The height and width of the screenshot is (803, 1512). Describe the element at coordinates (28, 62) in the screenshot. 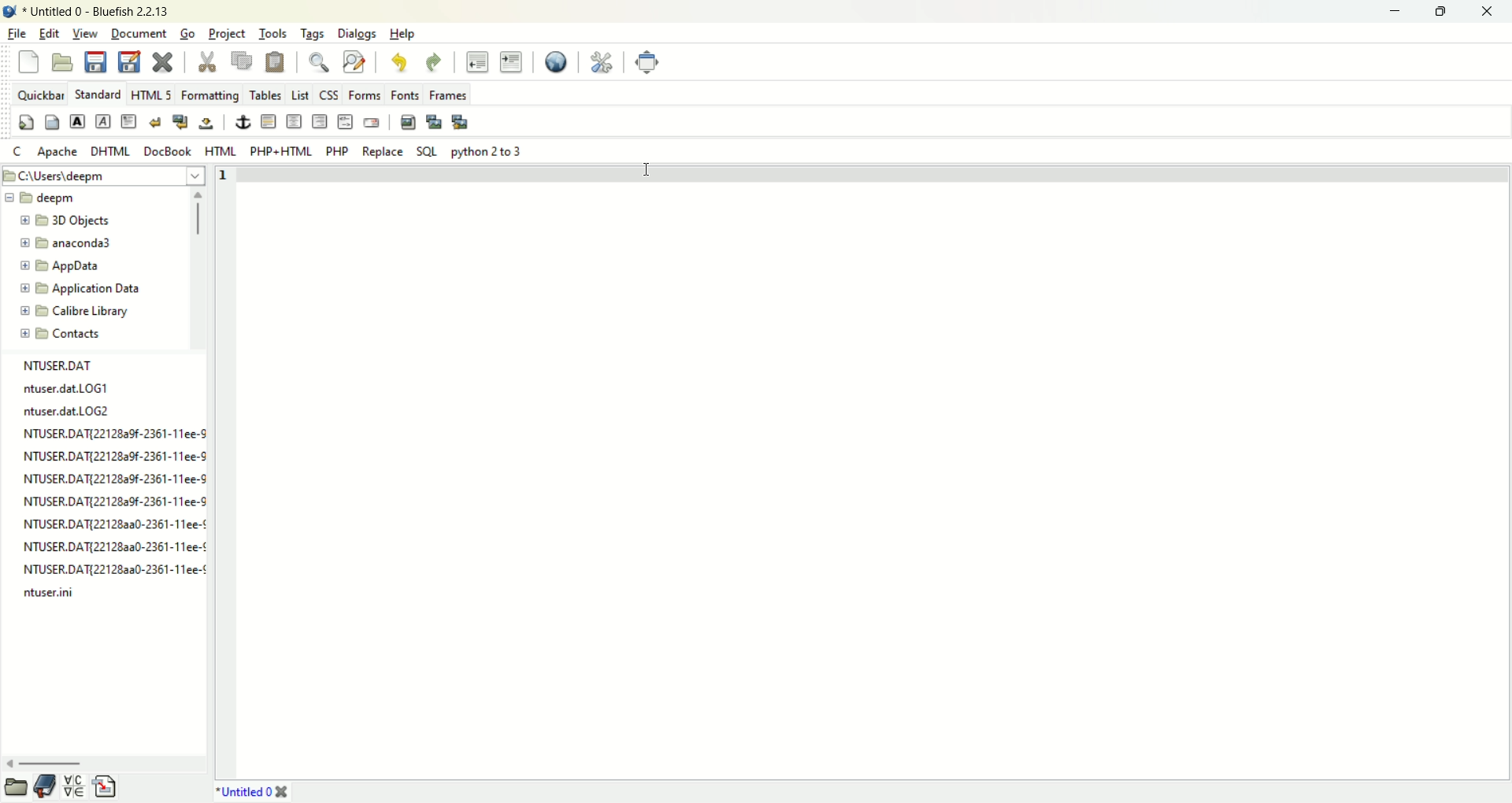

I see `new file` at that location.